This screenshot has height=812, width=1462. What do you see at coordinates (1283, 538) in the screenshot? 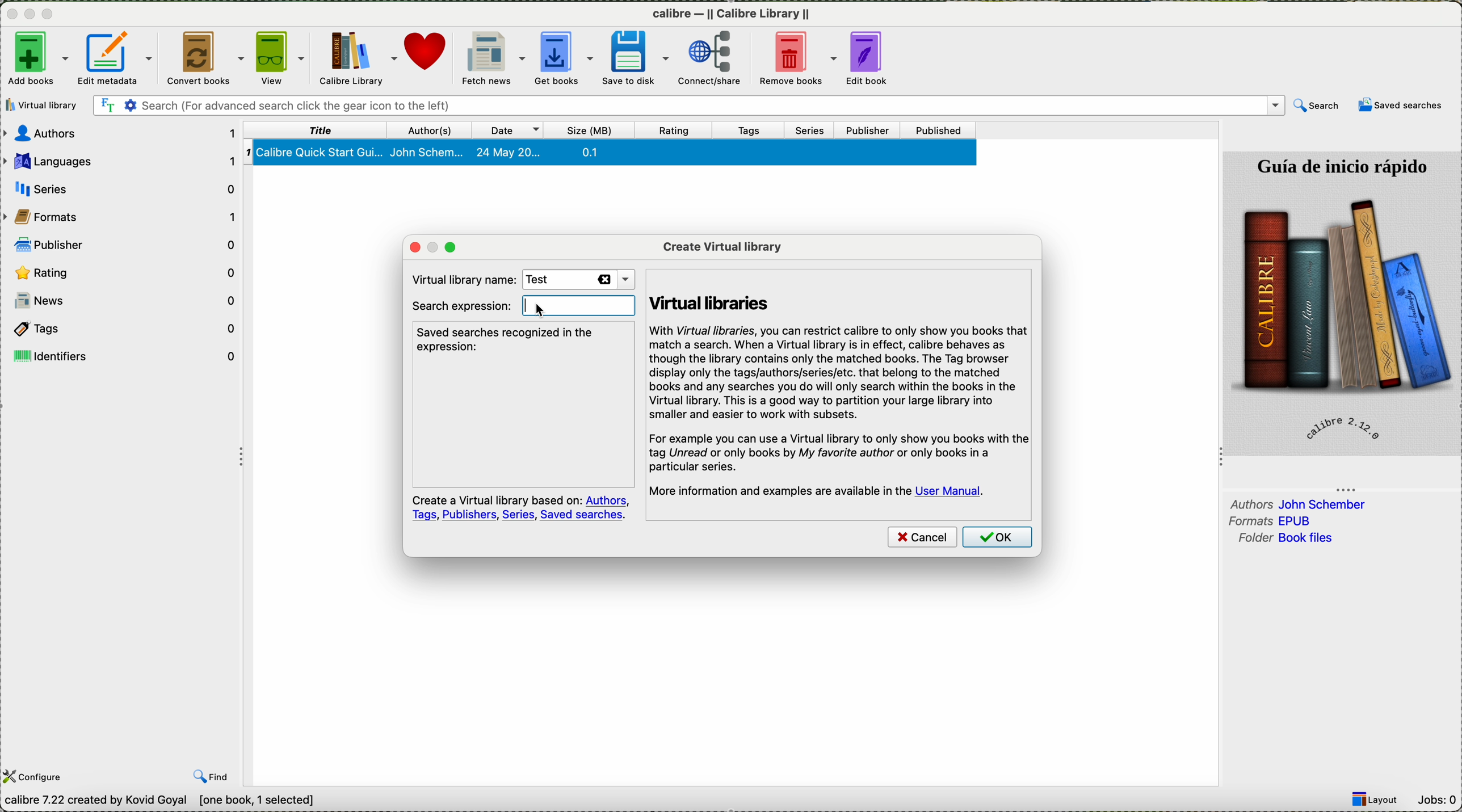
I see `folder` at bounding box center [1283, 538].